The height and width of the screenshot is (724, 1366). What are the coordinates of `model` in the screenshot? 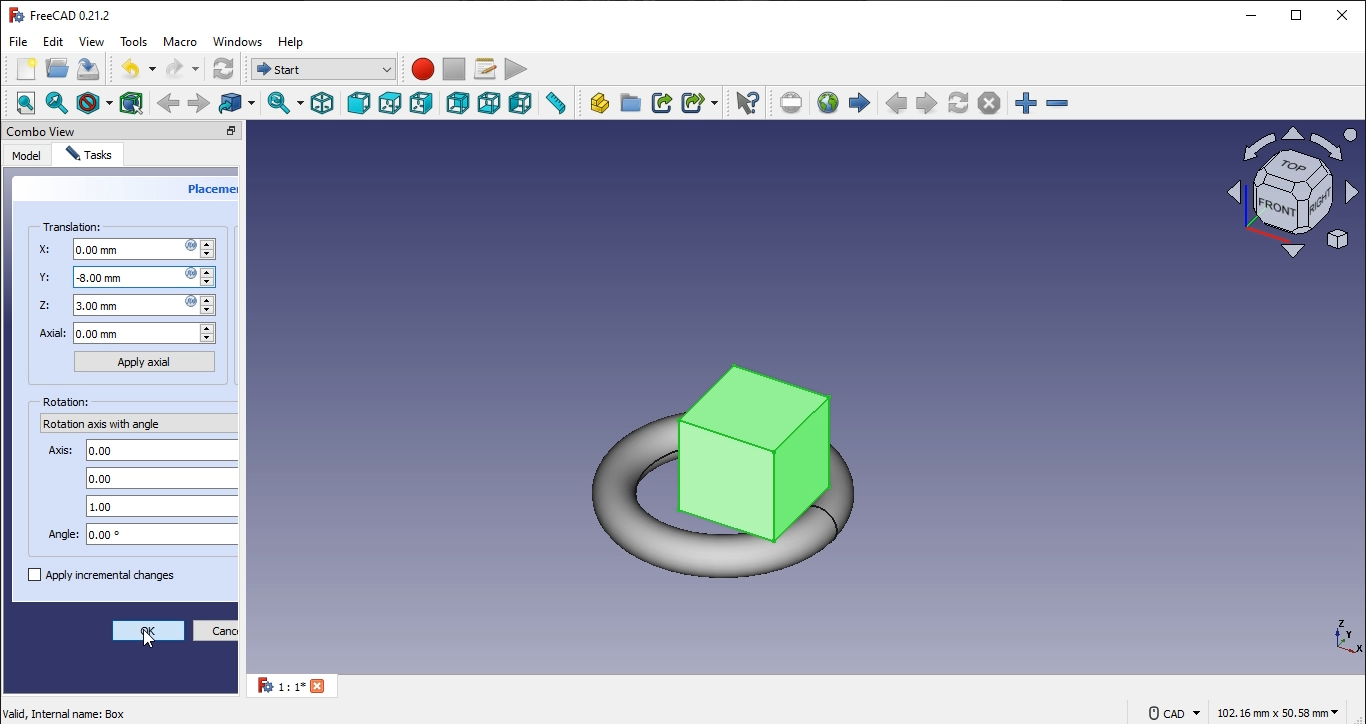 It's located at (26, 154).